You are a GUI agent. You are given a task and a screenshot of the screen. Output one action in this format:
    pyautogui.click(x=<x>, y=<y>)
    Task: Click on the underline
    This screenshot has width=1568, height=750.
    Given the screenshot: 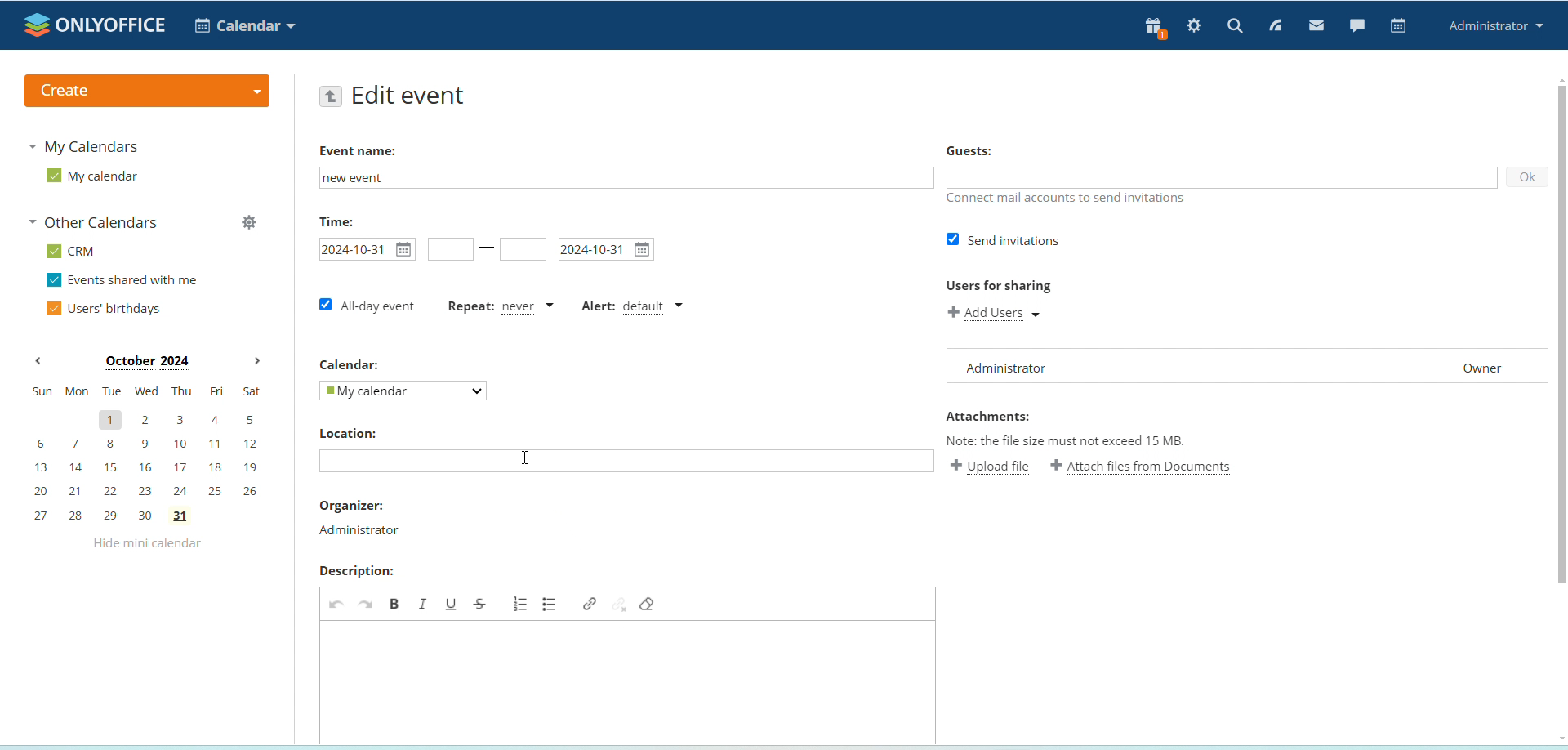 What is the action you would take?
    pyautogui.click(x=450, y=604)
    